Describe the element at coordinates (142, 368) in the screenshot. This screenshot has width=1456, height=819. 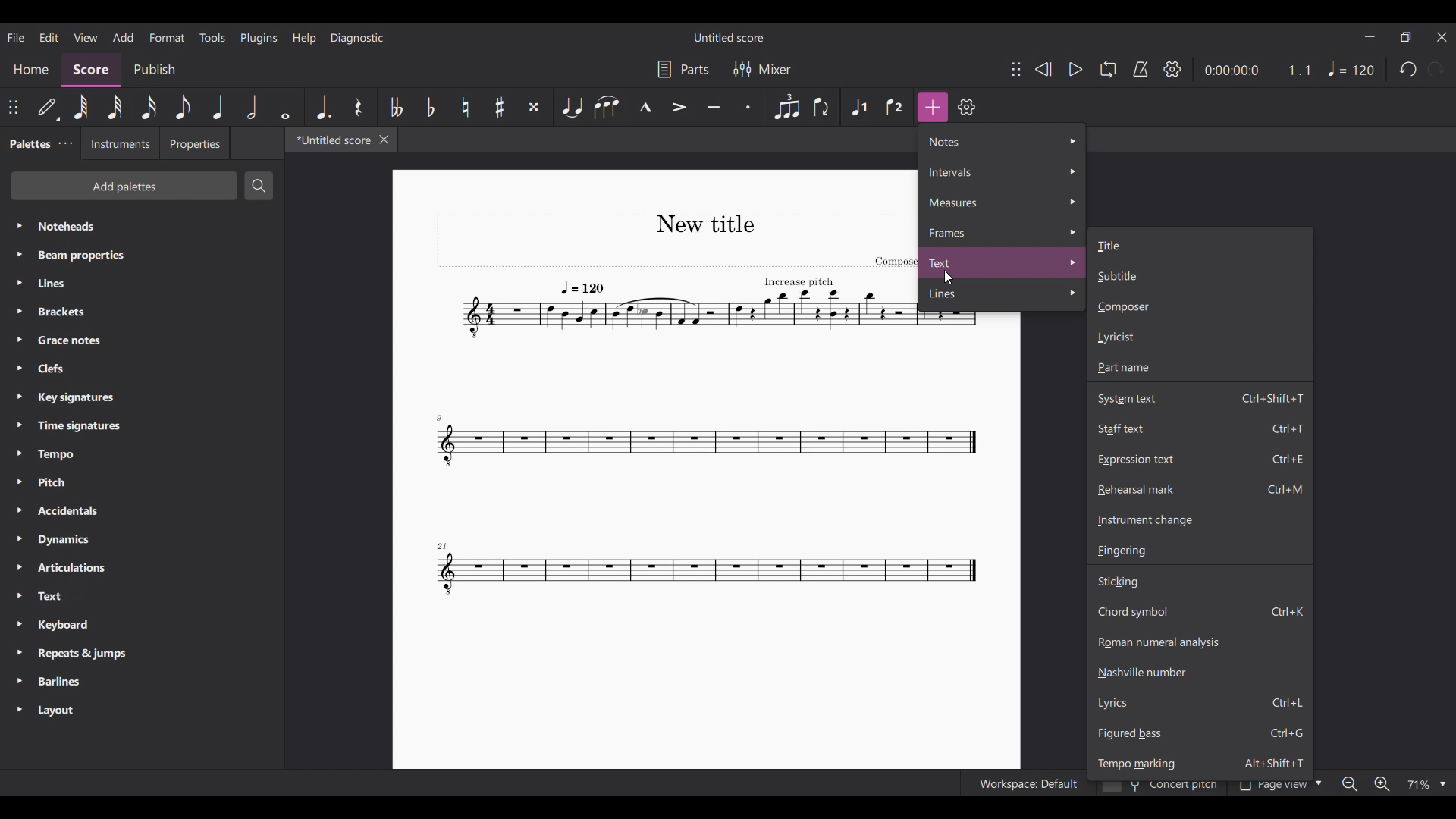
I see `Clefs` at that location.